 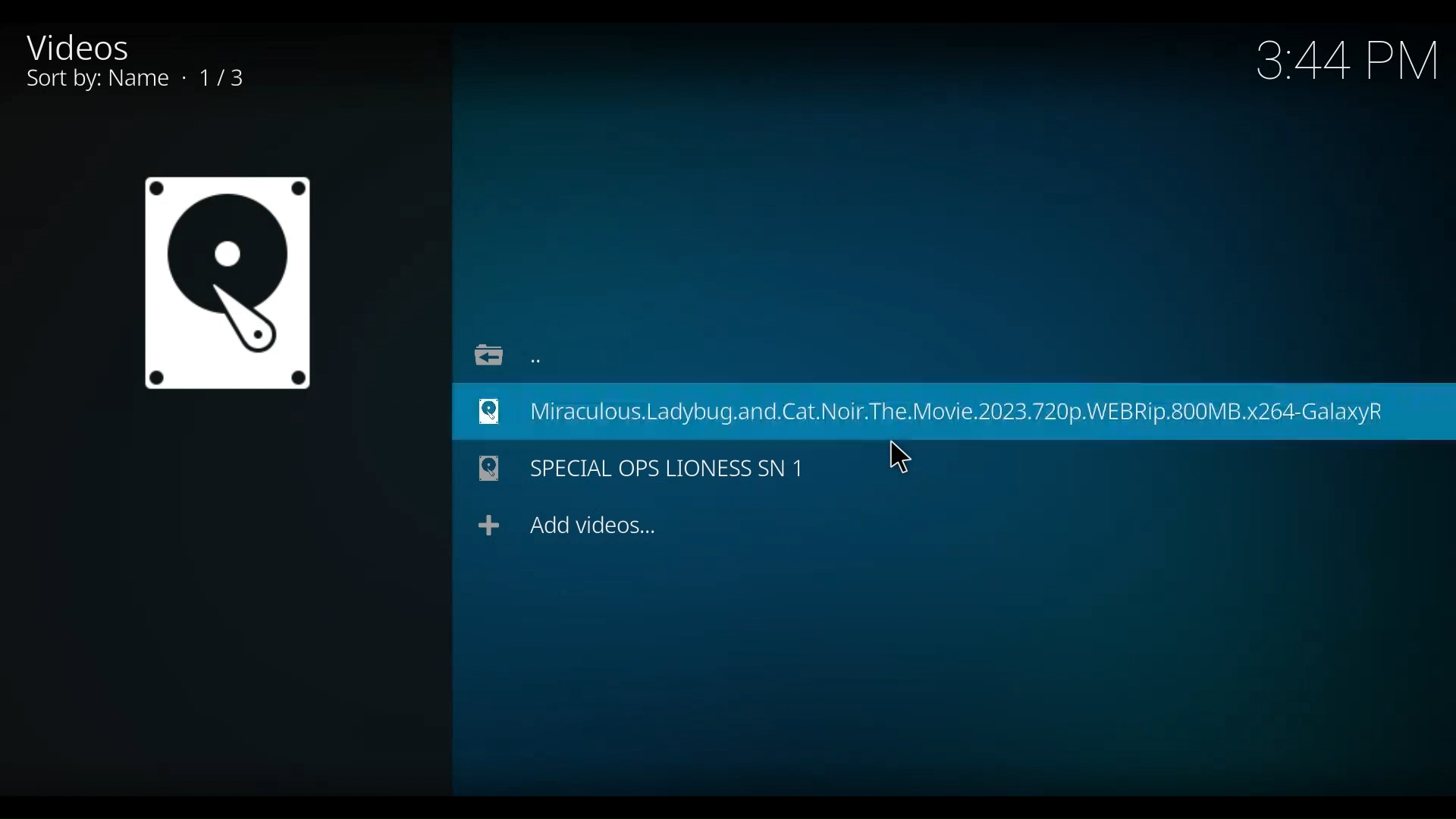 I want to click on Movie File, so click(x=643, y=470).